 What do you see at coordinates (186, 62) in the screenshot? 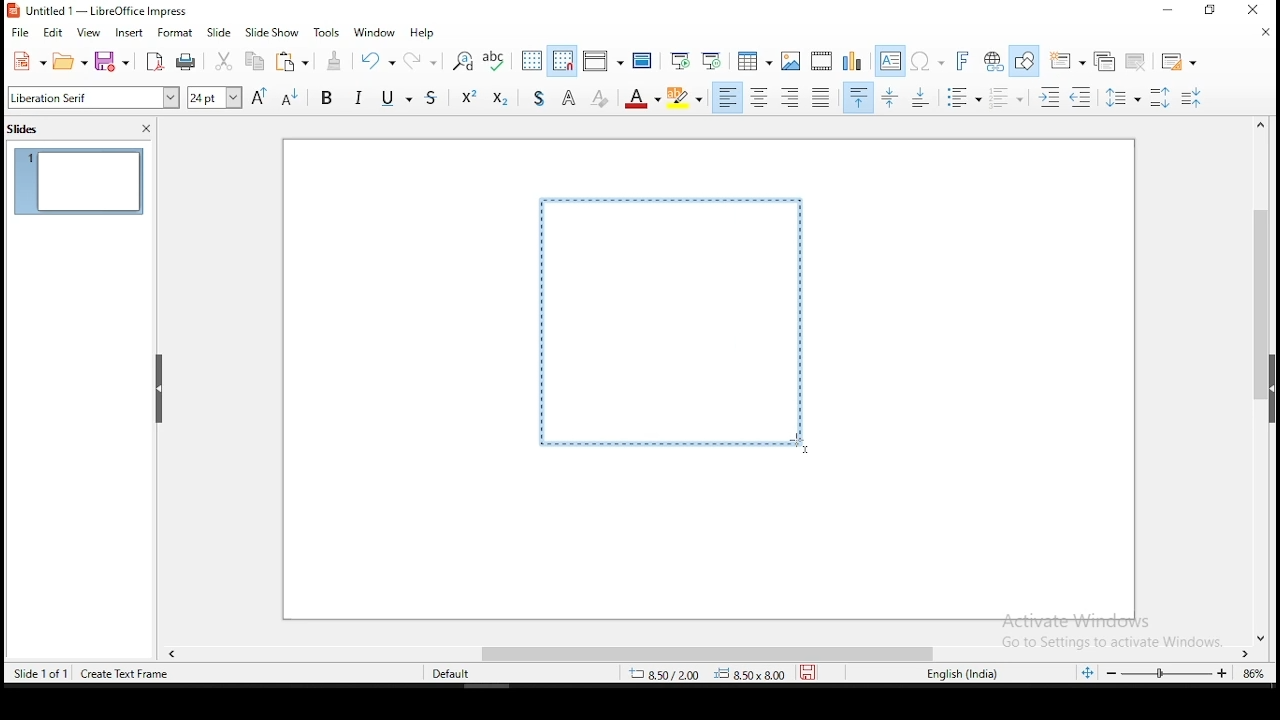
I see `print` at bounding box center [186, 62].